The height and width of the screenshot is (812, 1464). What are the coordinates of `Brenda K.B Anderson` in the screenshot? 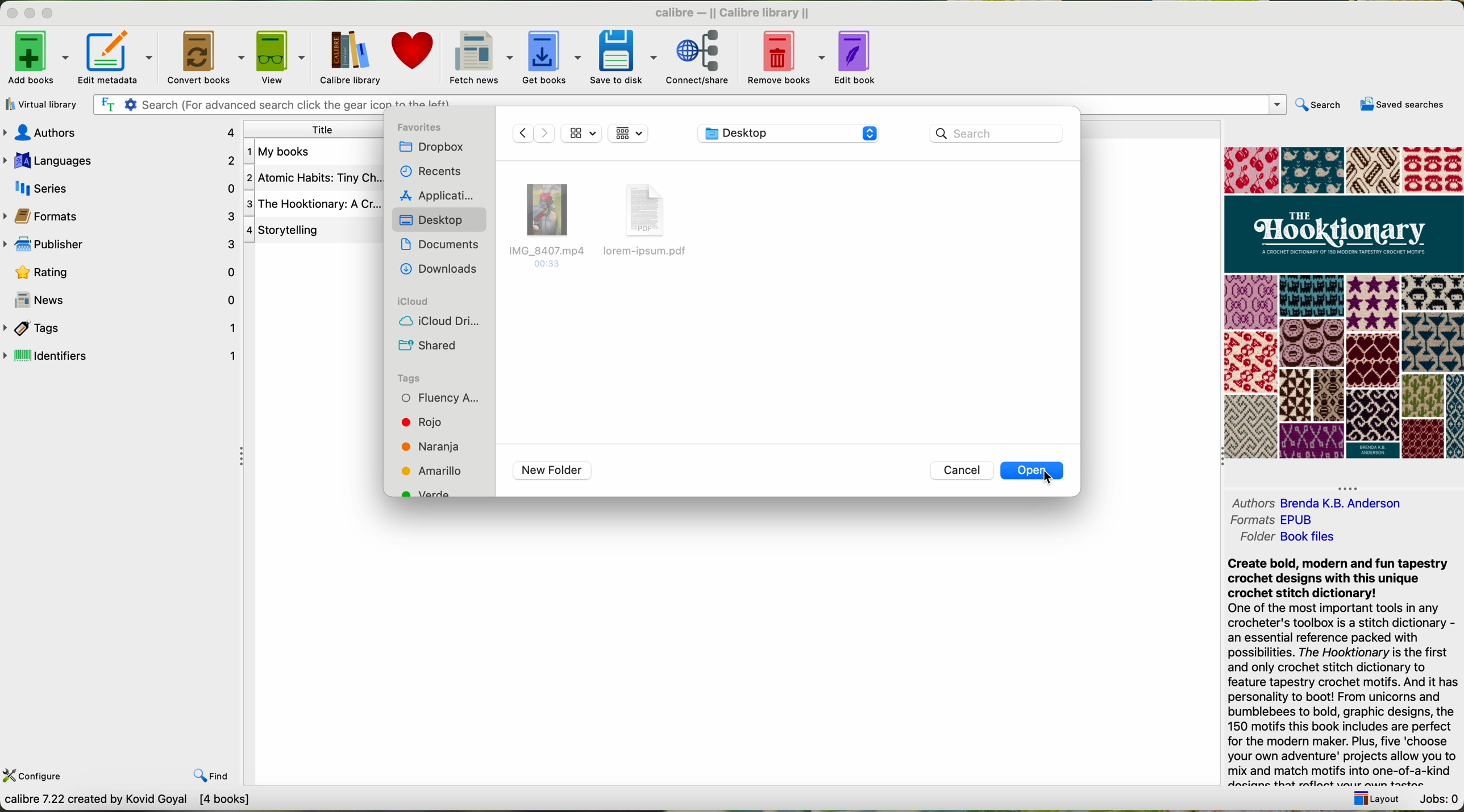 It's located at (1371, 503).